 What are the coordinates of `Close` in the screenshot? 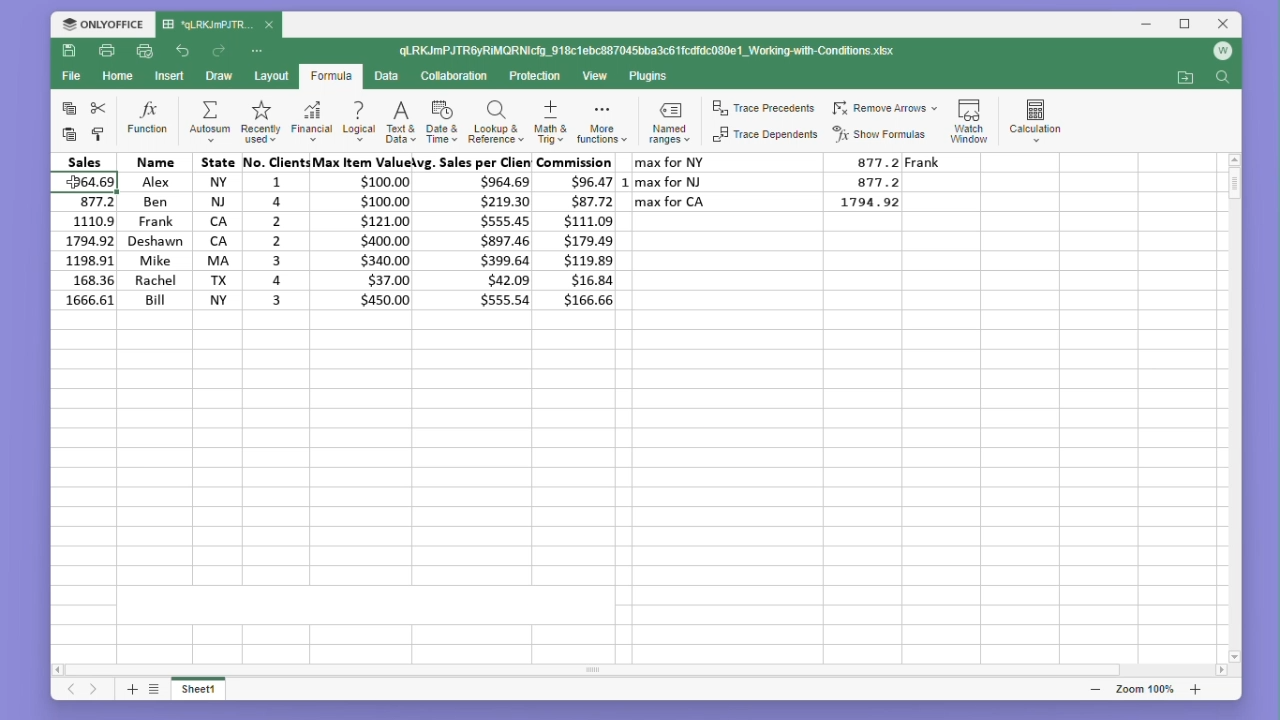 It's located at (1218, 25).